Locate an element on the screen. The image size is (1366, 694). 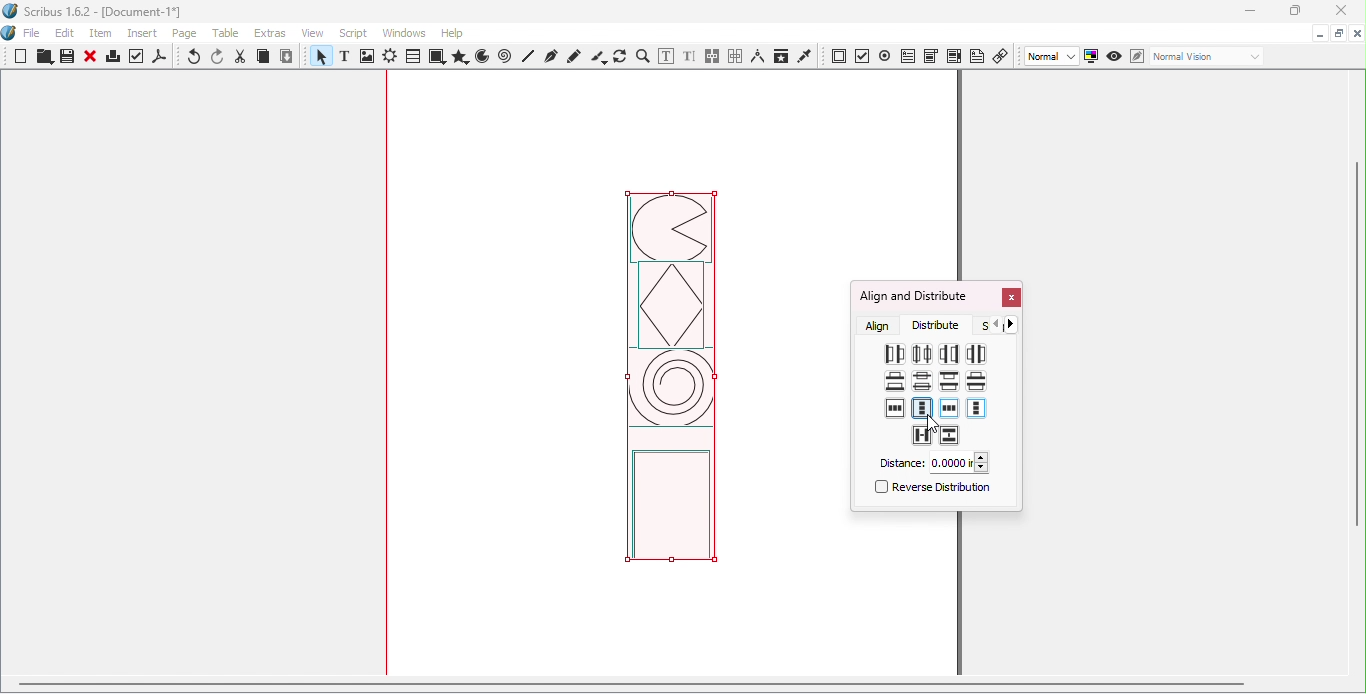
Distance is located at coordinates (932, 463).